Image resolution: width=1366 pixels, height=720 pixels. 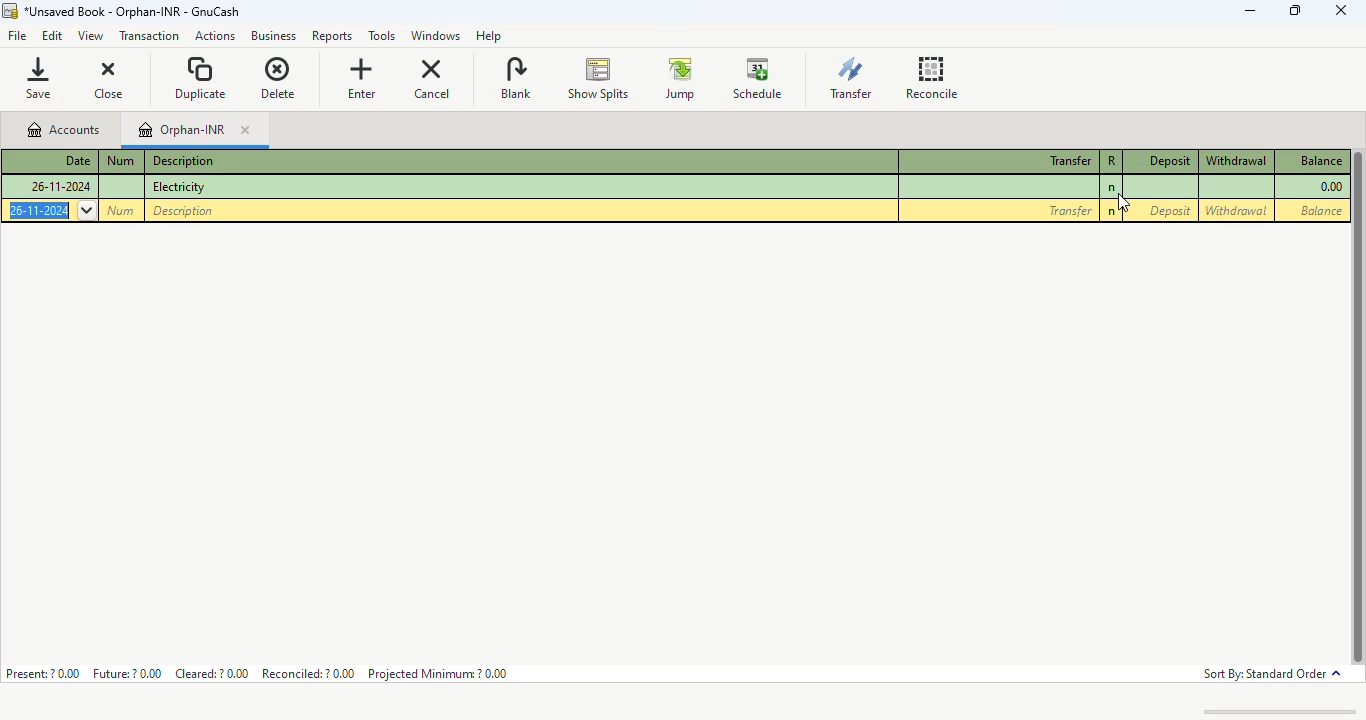 I want to click on enter, so click(x=361, y=78).